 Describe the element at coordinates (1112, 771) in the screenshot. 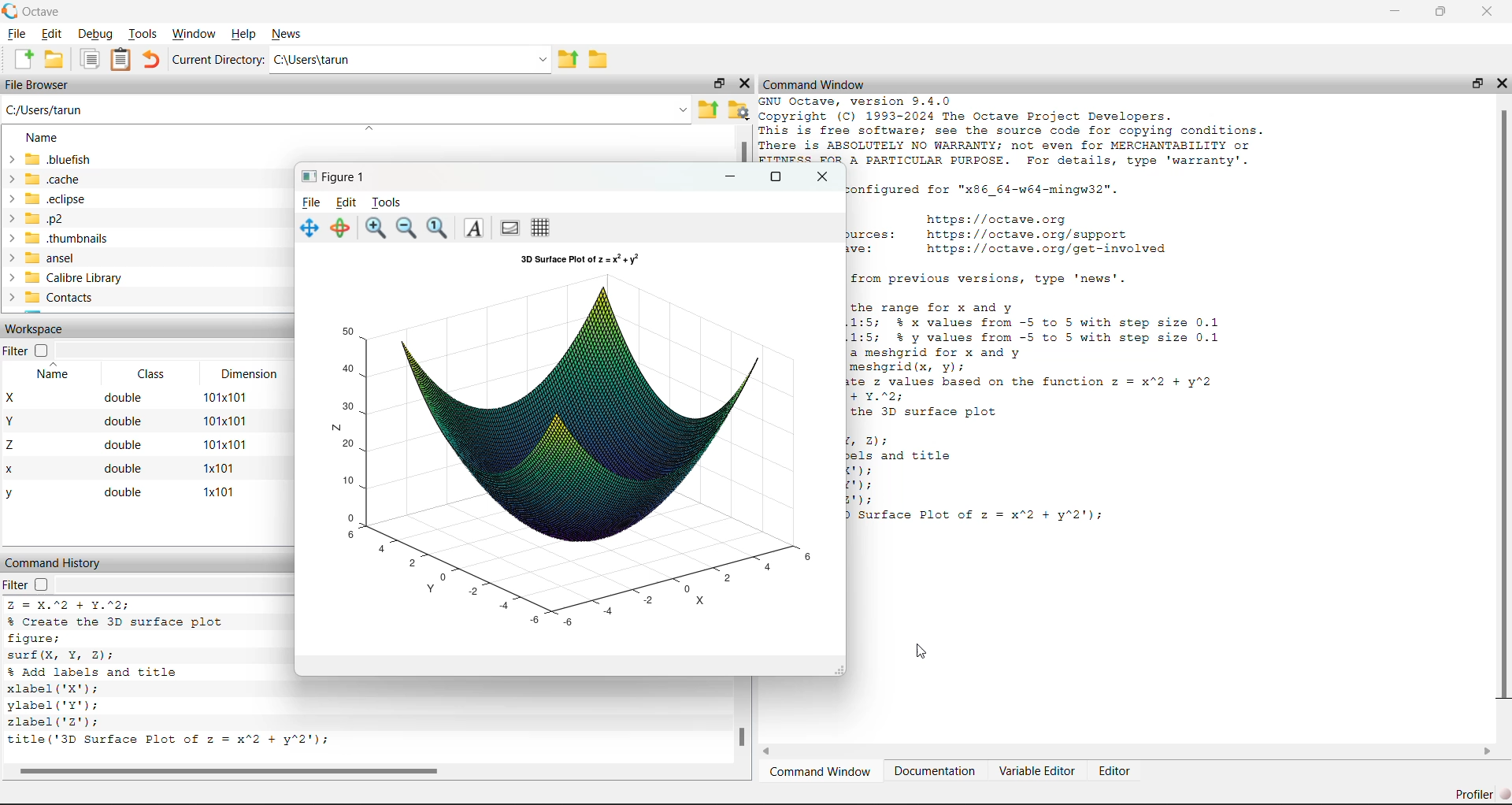

I see `Editor` at that location.